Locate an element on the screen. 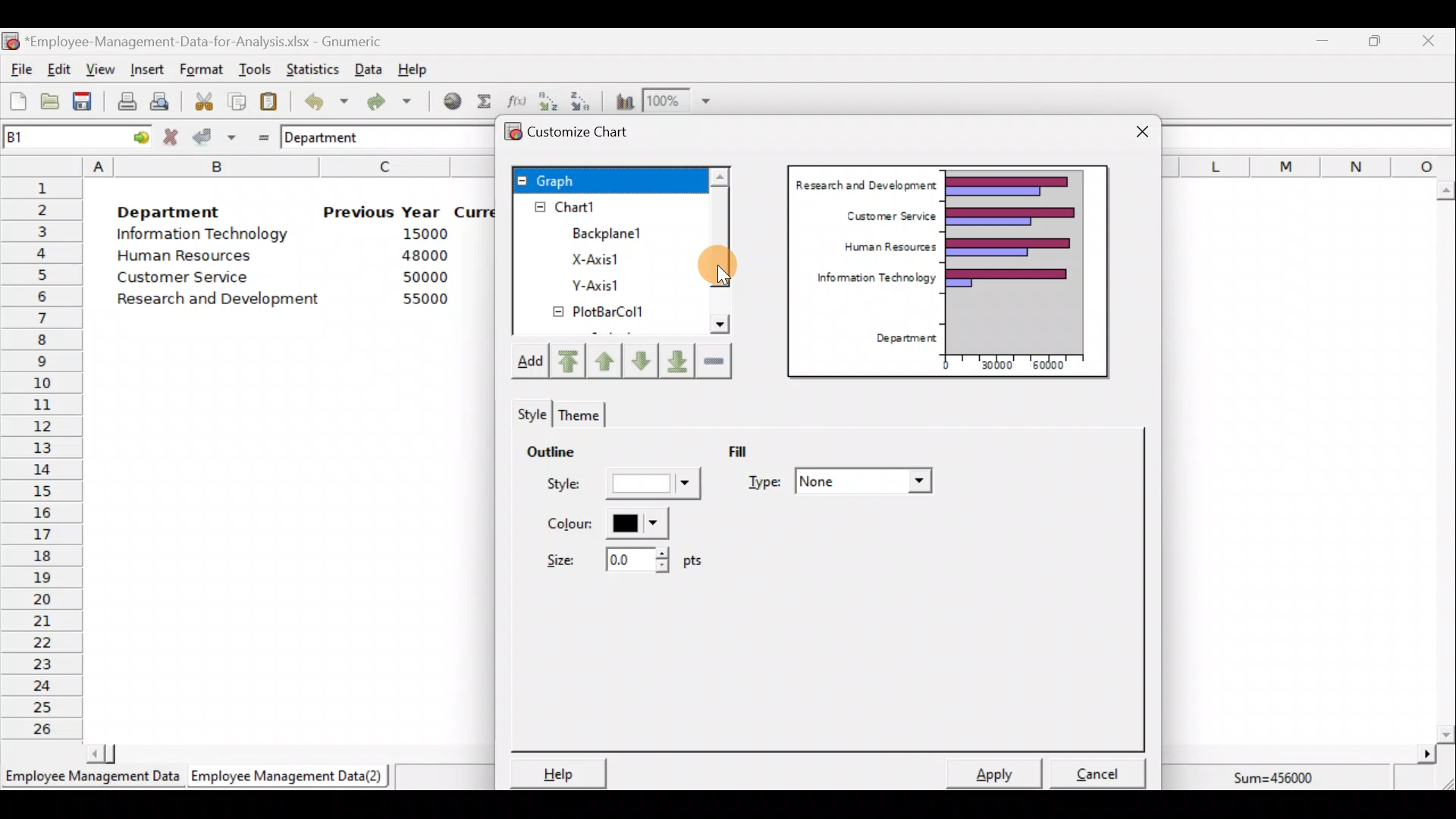 The image size is (1456, 819). Human Resources is located at coordinates (883, 248).